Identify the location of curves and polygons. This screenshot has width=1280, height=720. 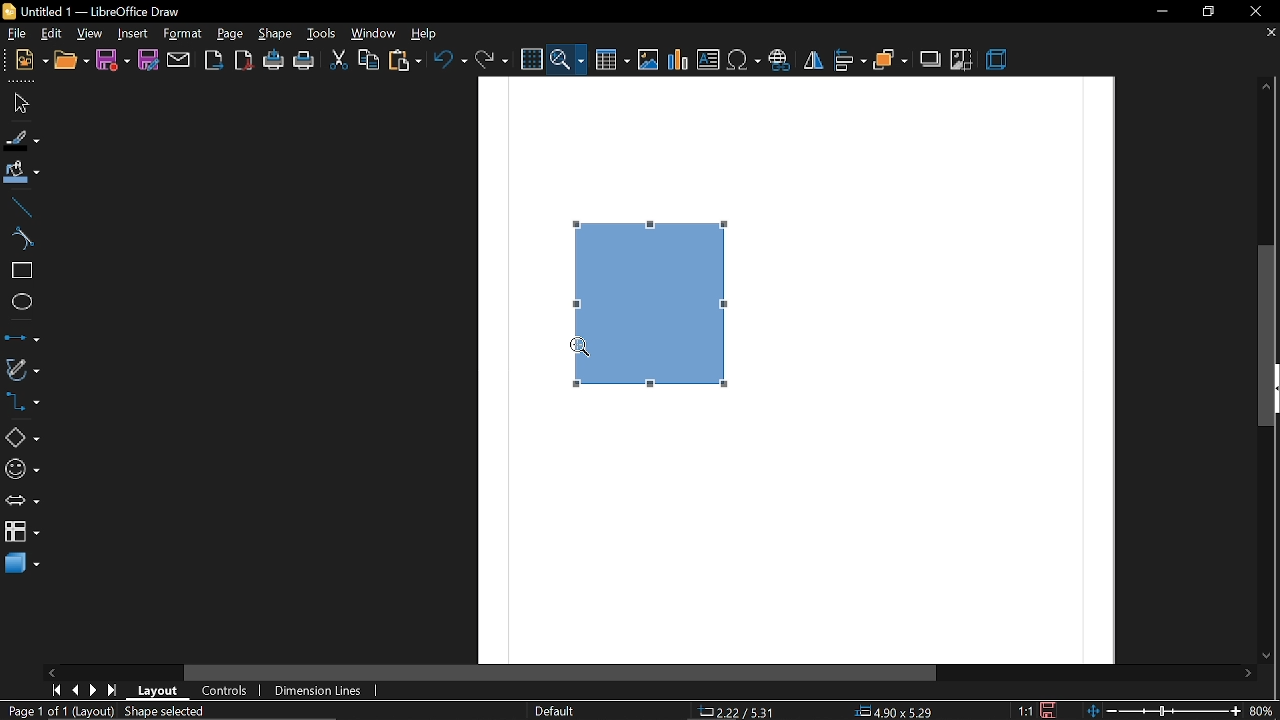
(21, 368).